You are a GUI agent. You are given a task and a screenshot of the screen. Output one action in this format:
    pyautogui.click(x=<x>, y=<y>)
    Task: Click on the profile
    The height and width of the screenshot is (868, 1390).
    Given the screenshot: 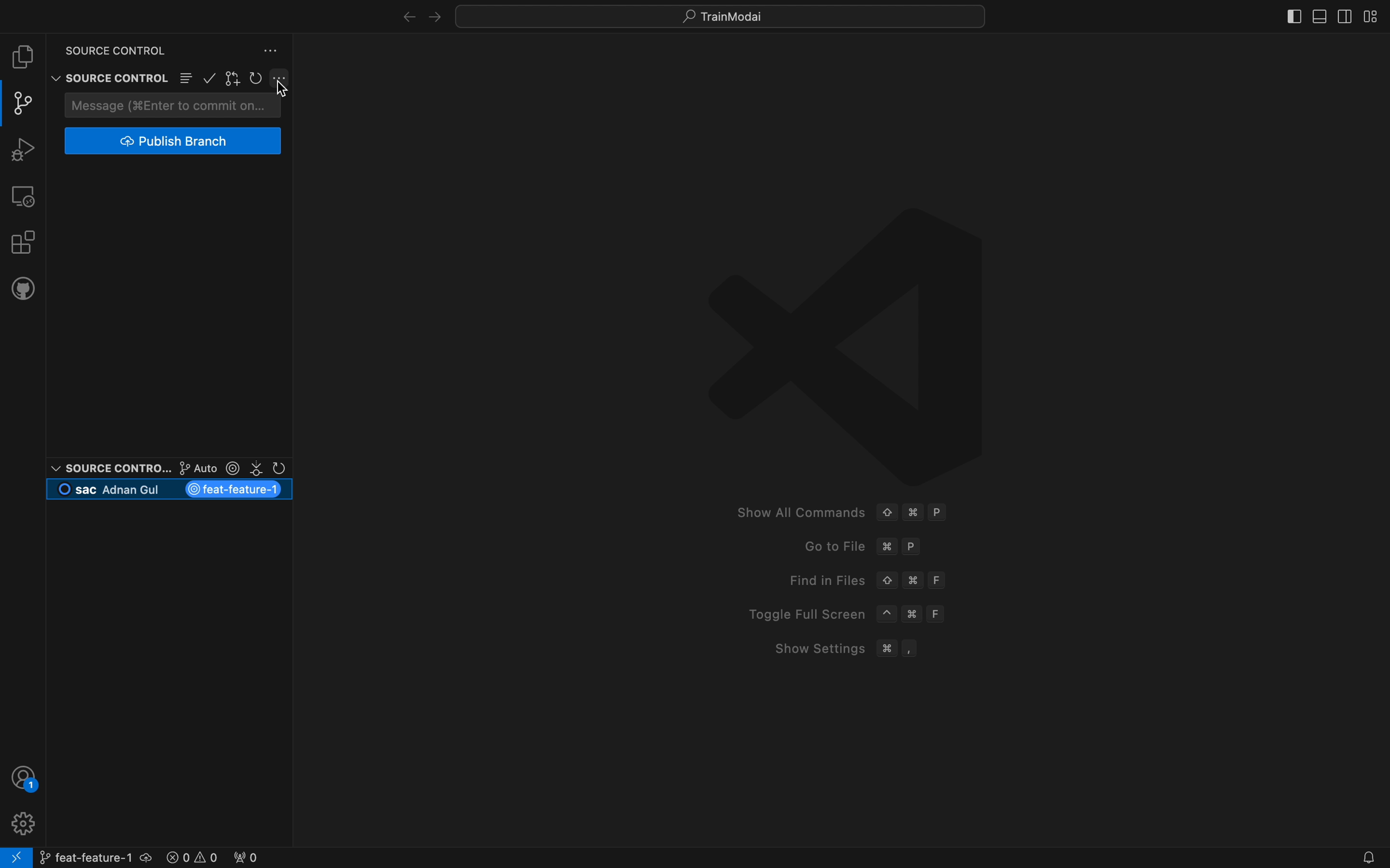 What is the action you would take?
    pyautogui.click(x=25, y=777)
    